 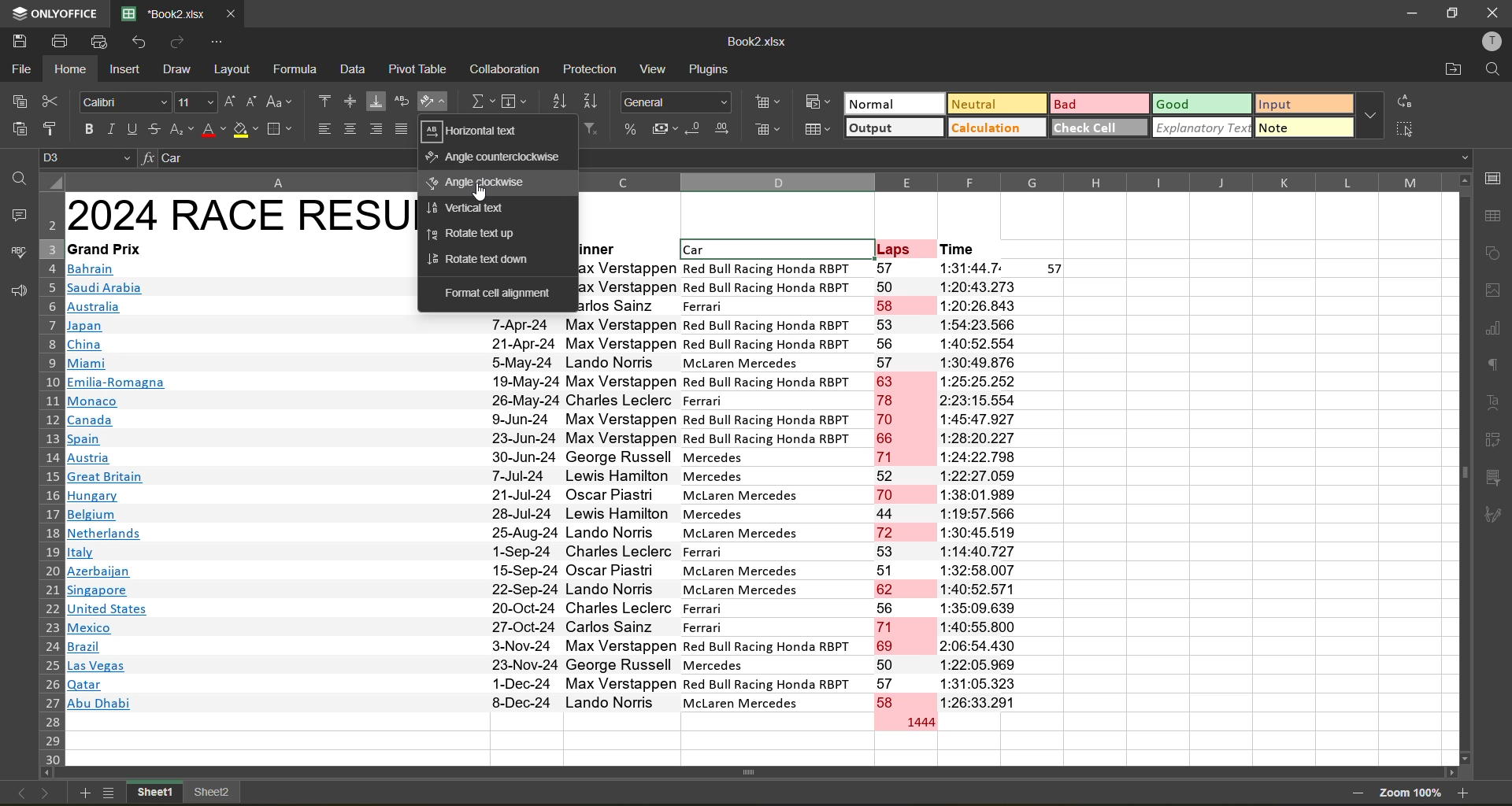 I want to click on paste, so click(x=19, y=126).